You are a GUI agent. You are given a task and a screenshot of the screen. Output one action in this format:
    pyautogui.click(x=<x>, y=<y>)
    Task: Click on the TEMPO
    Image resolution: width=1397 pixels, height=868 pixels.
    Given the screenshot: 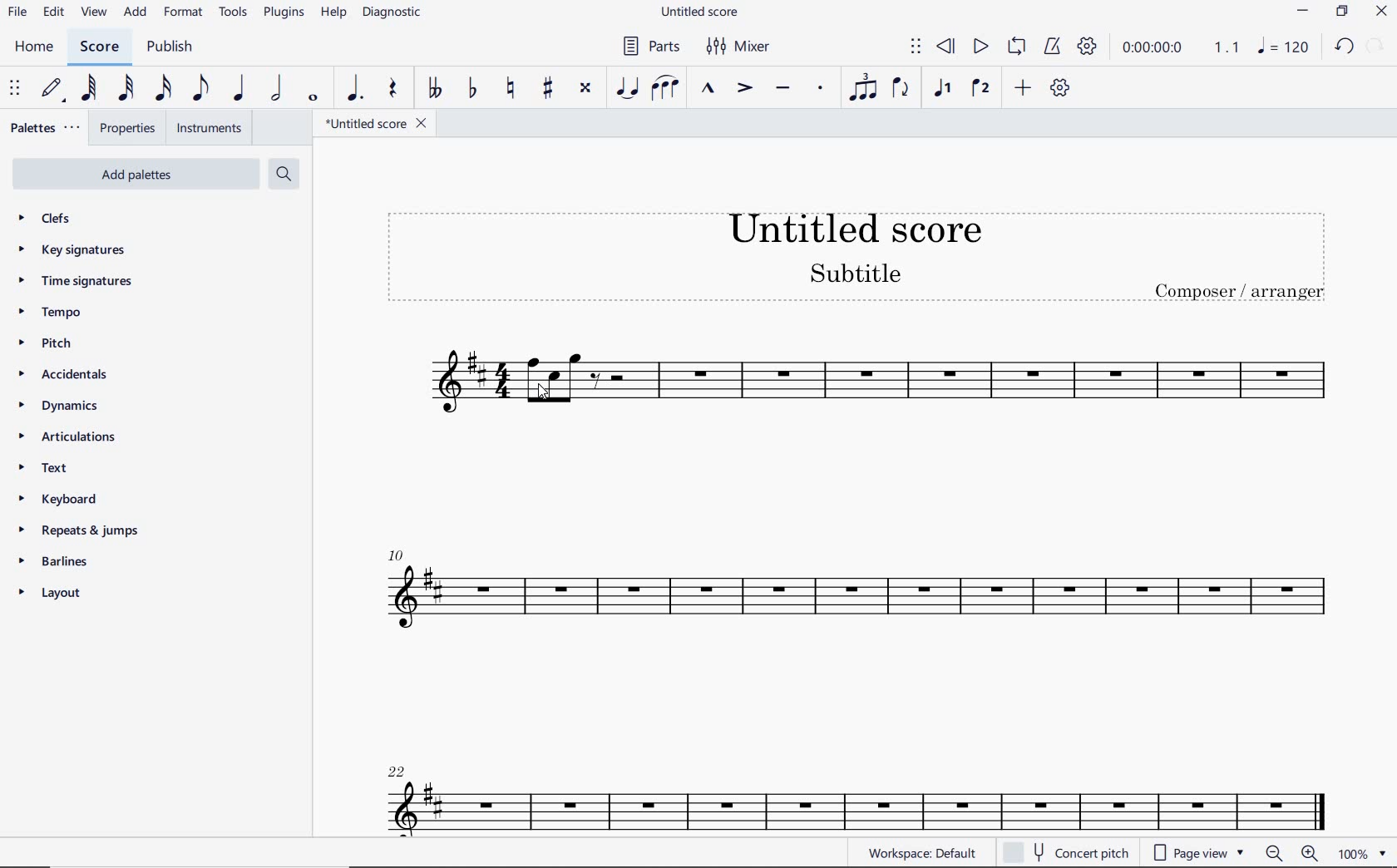 What is the action you would take?
    pyautogui.click(x=77, y=313)
    